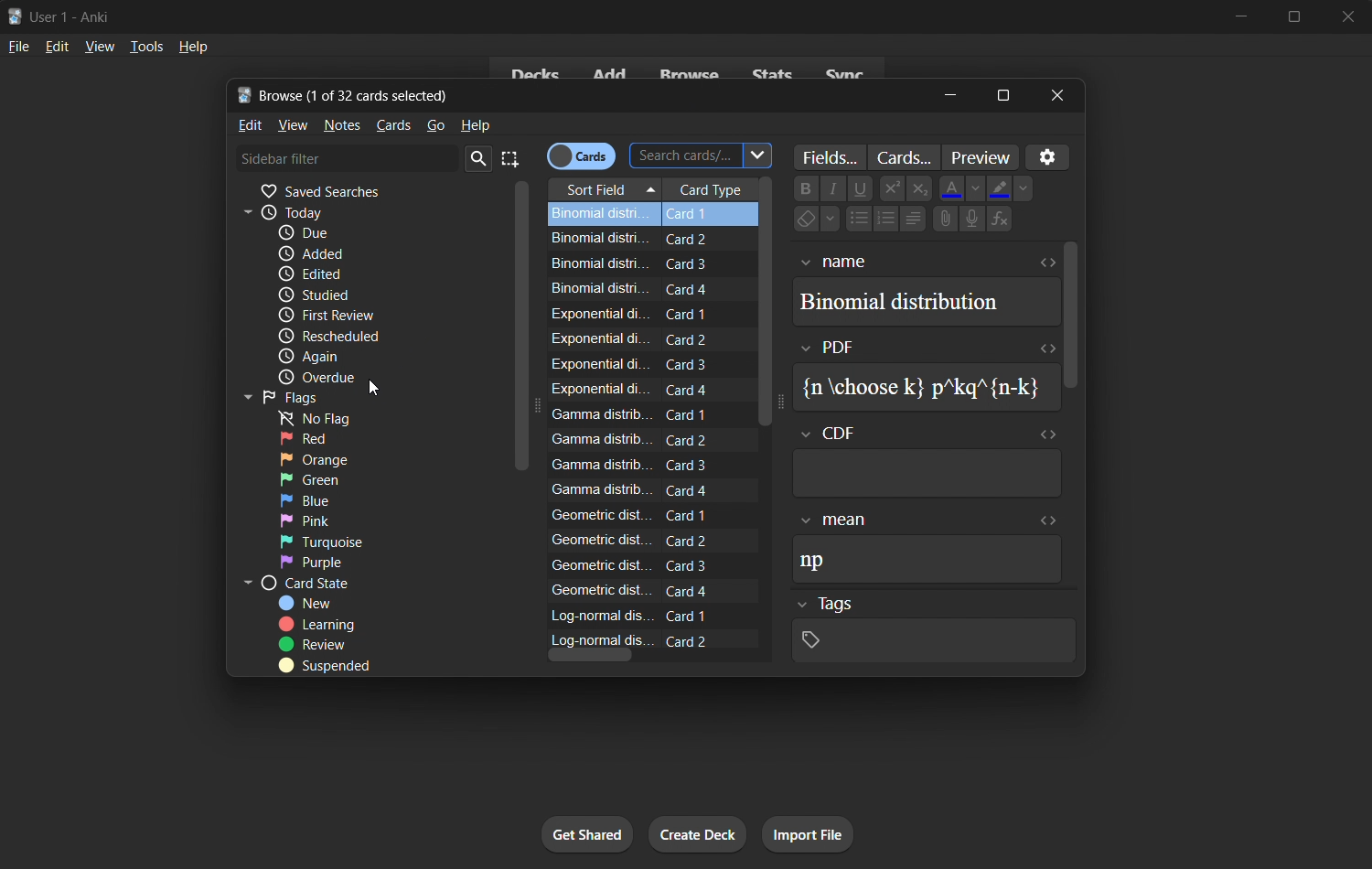 Image resolution: width=1372 pixels, height=869 pixels. I want to click on Card 2, so click(689, 542).